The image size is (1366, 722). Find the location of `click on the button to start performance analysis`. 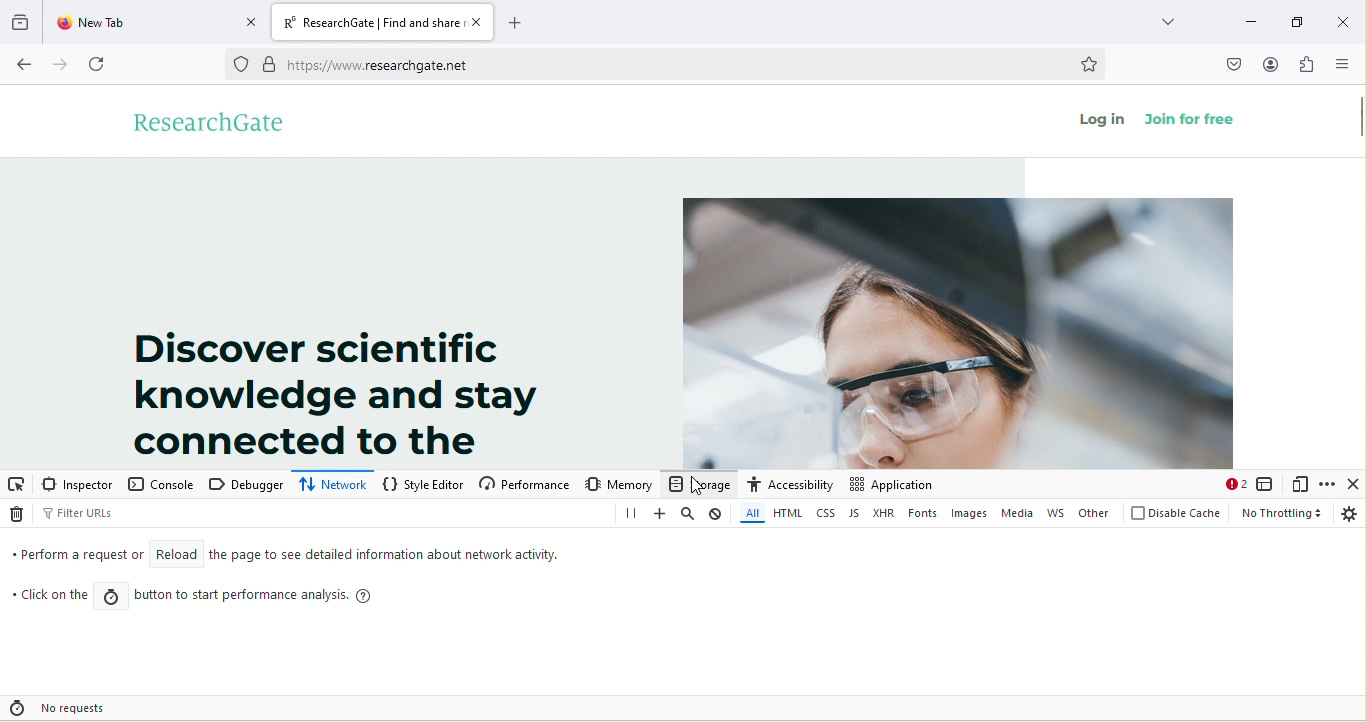

click on the button to start performance analysis is located at coordinates (187, 599).